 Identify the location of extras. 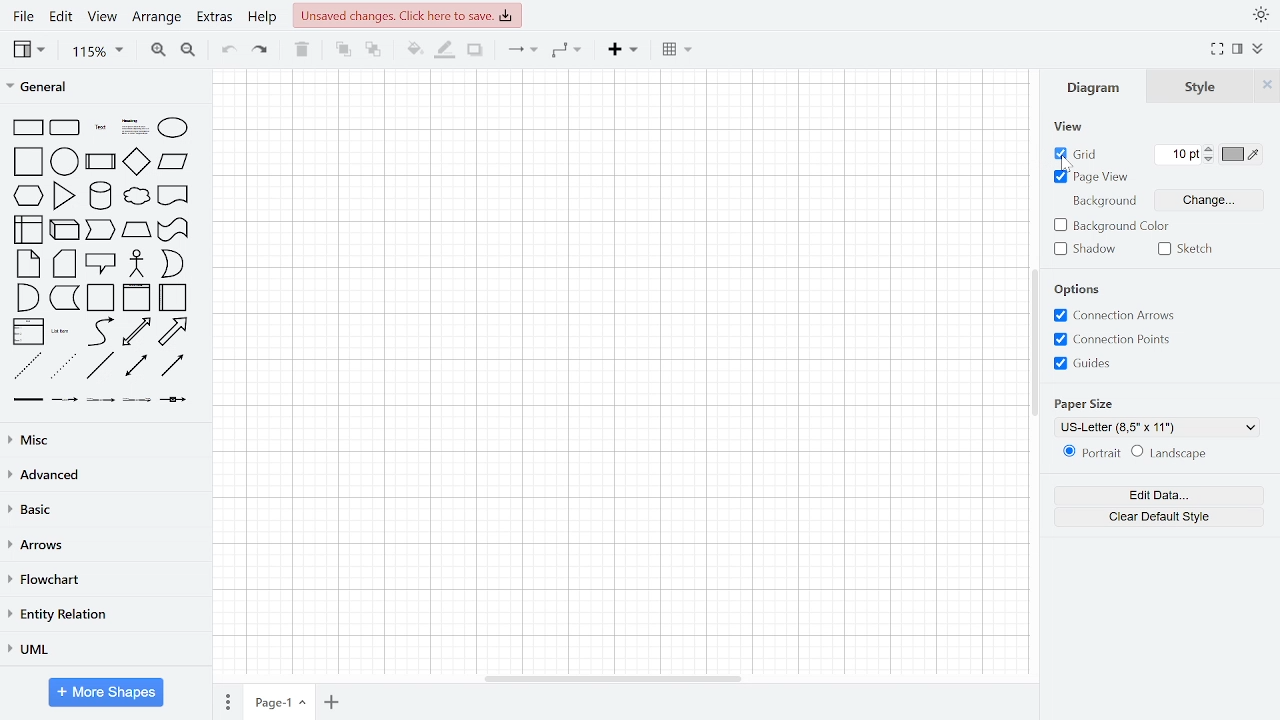
(217, 17).